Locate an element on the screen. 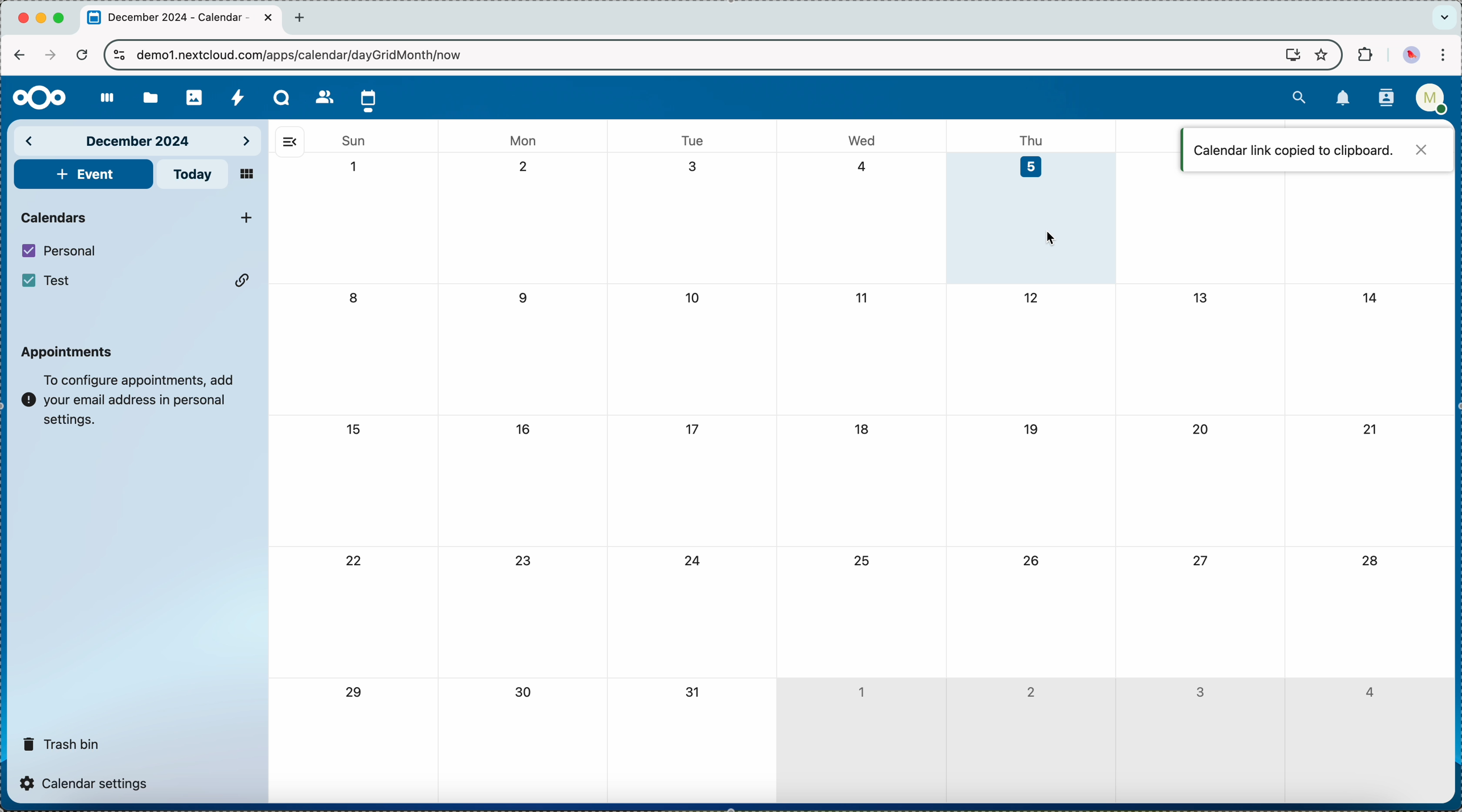 The height and width of the screenshot is (812, 1462). 31 is located at coordinates (694, 693).